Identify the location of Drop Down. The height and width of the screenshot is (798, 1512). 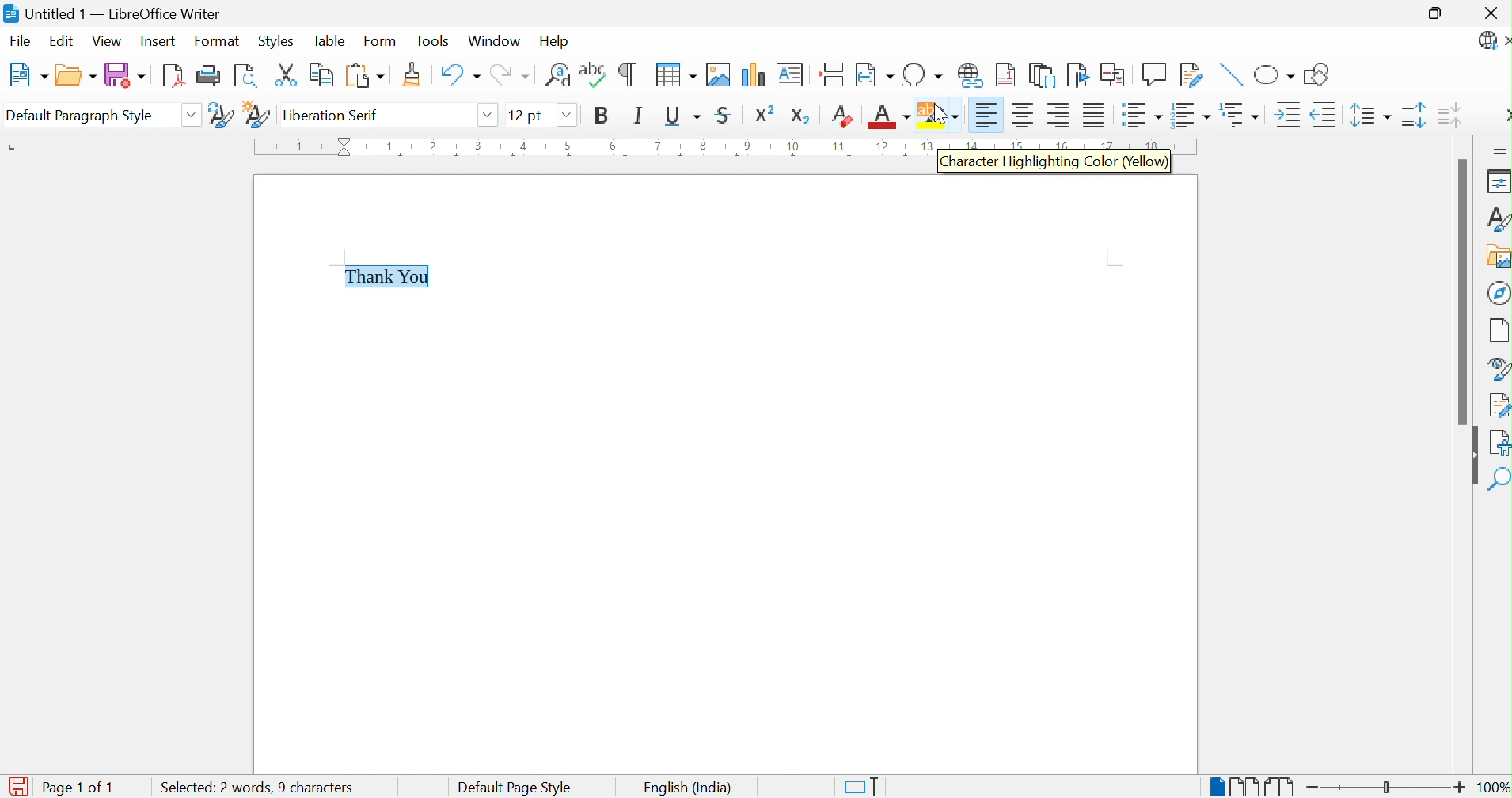
(566, 116).